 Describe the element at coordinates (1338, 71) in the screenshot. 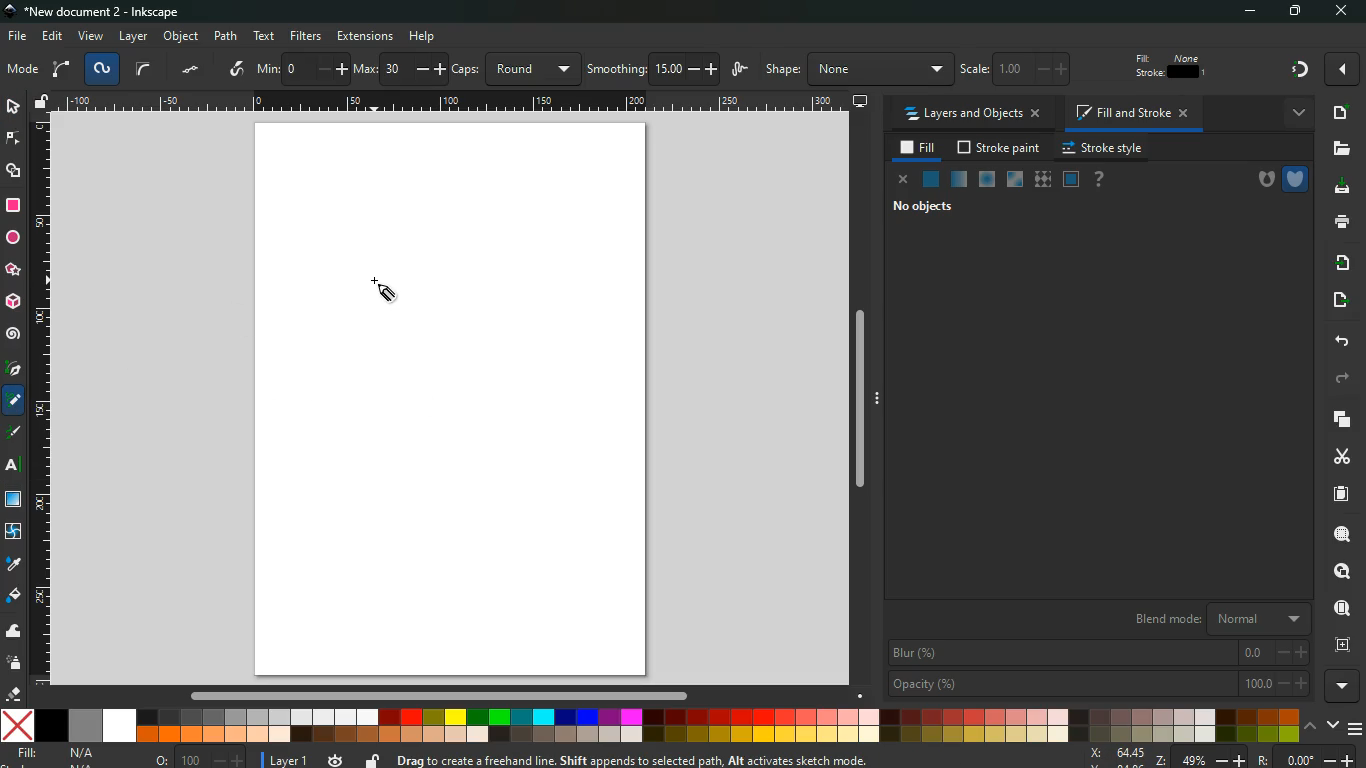

I see `` at that location.